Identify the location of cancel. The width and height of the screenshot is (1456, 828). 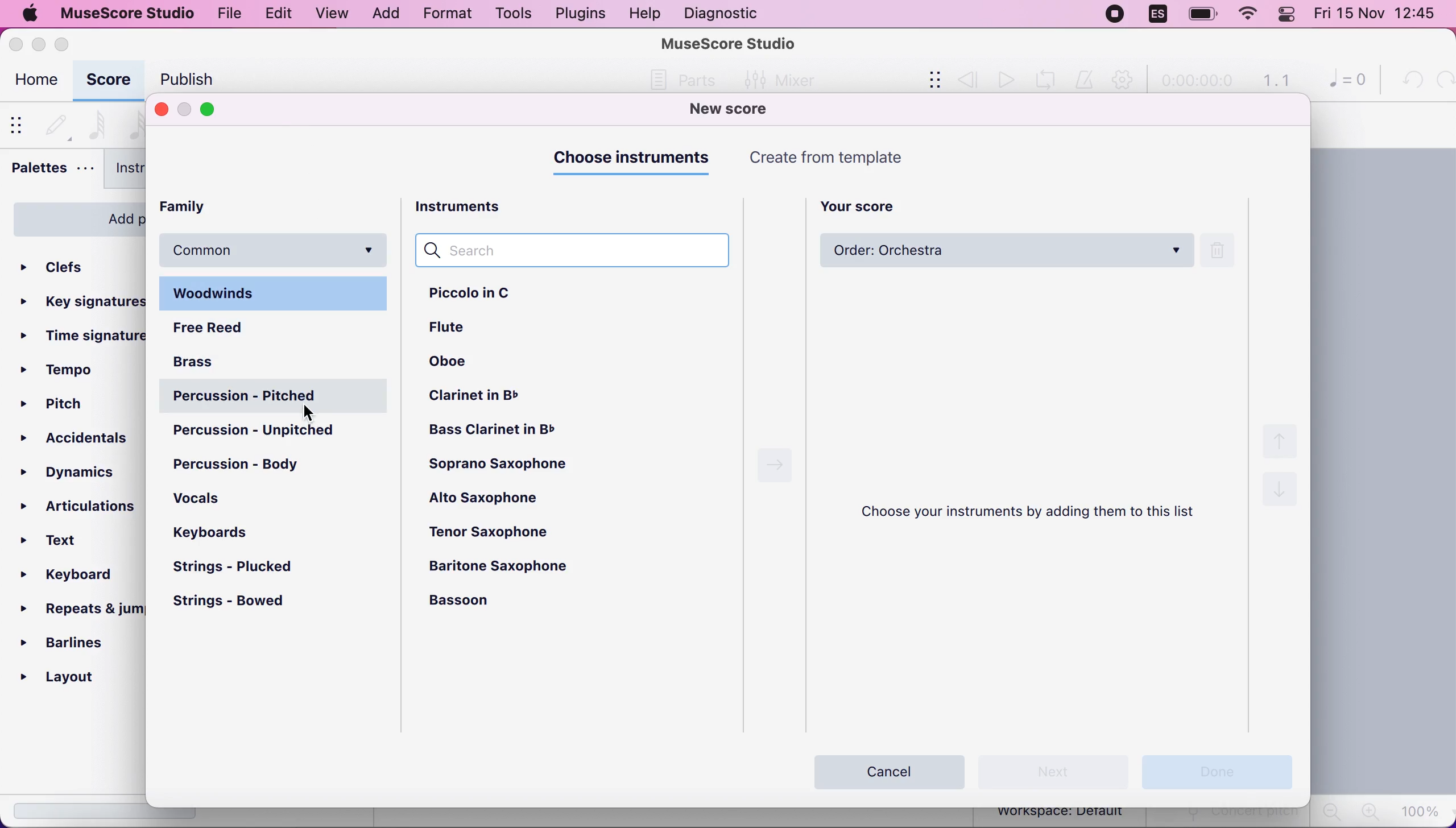
(891, 769).